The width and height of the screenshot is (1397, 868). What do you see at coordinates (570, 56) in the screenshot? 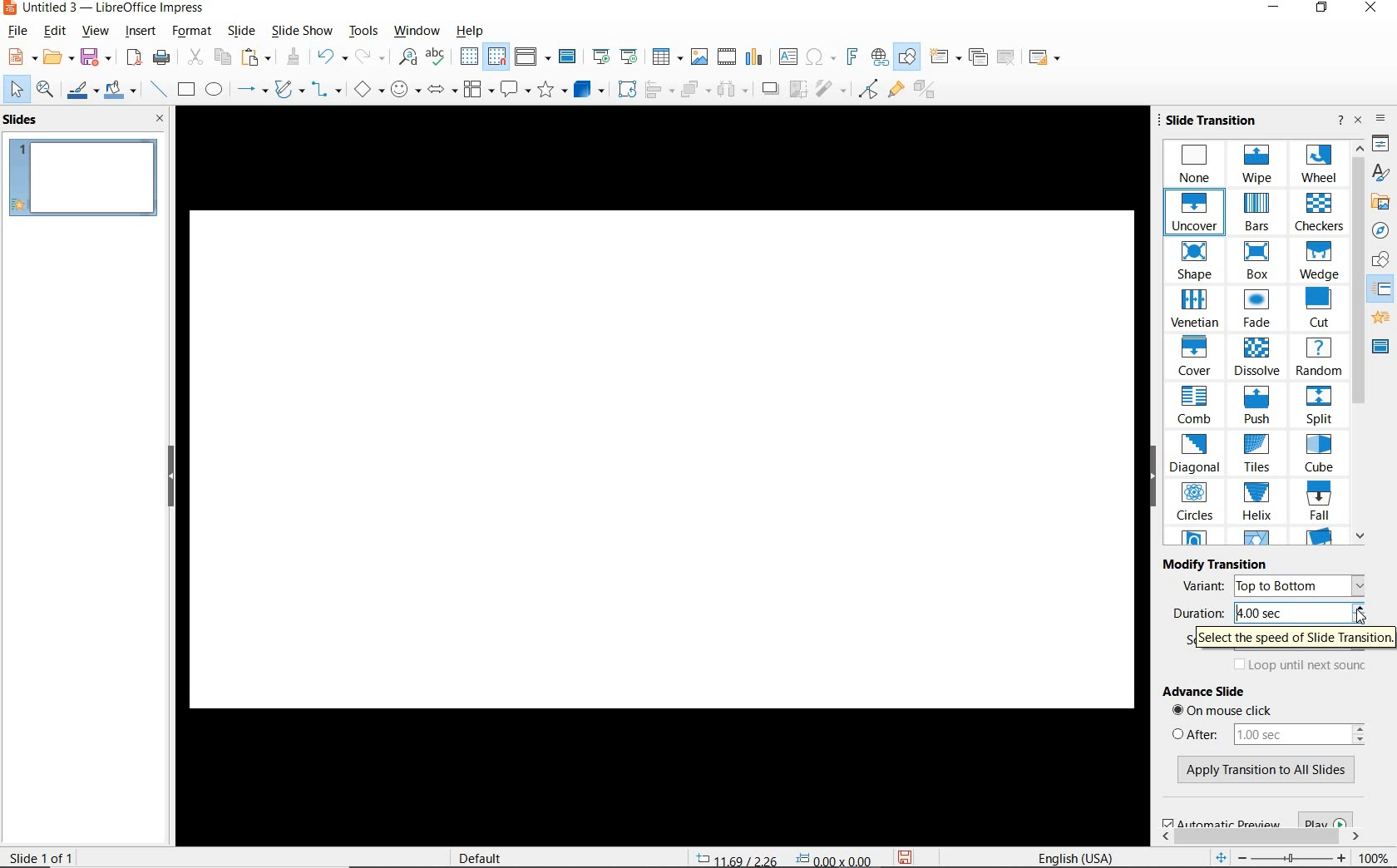
I see `` at bounding box center [570, 56].